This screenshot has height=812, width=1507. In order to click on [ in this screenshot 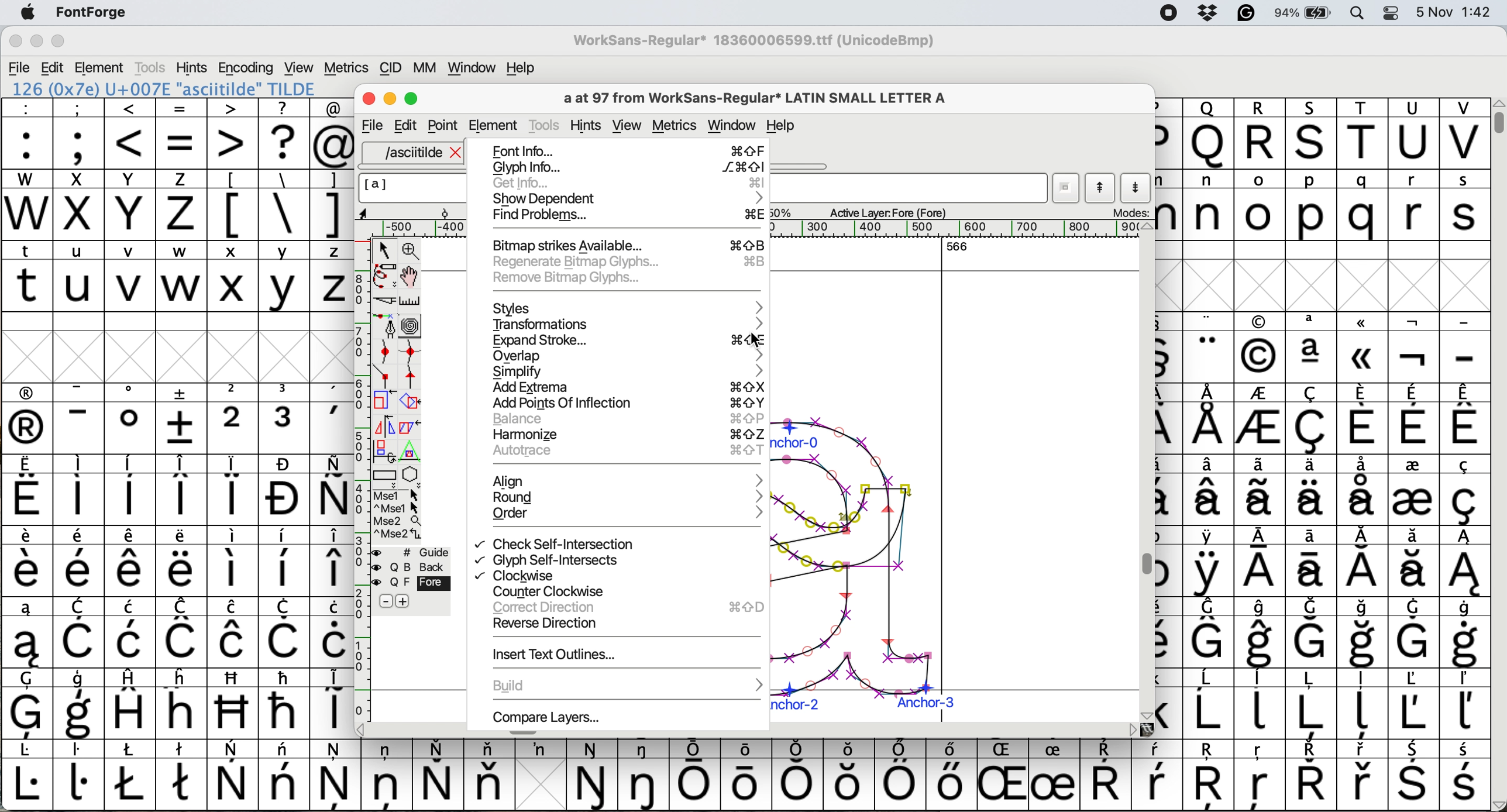, I will do `click(233, 205)`.